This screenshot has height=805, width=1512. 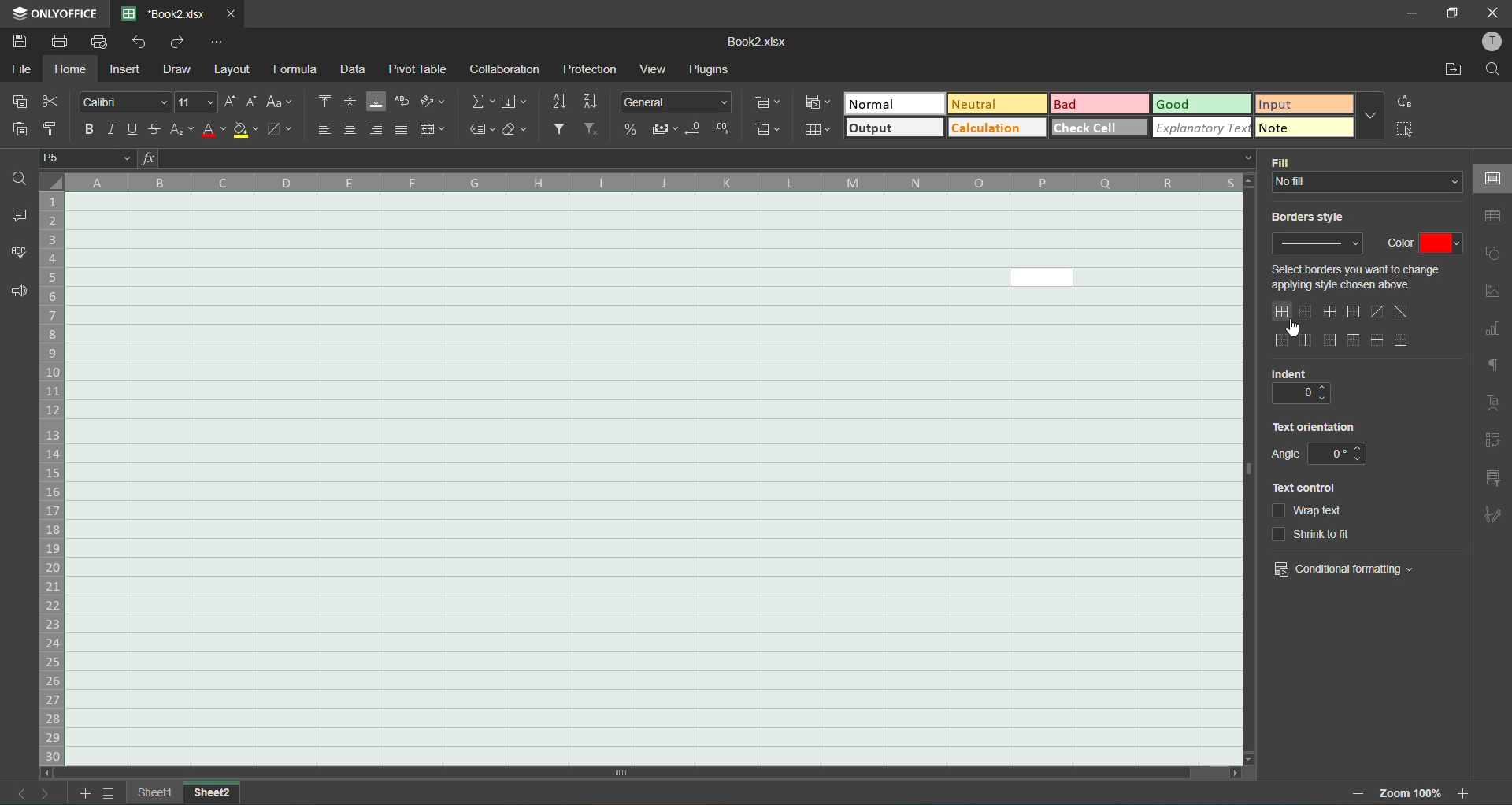 I want to click on sort descending, so click(x=597, y=104).